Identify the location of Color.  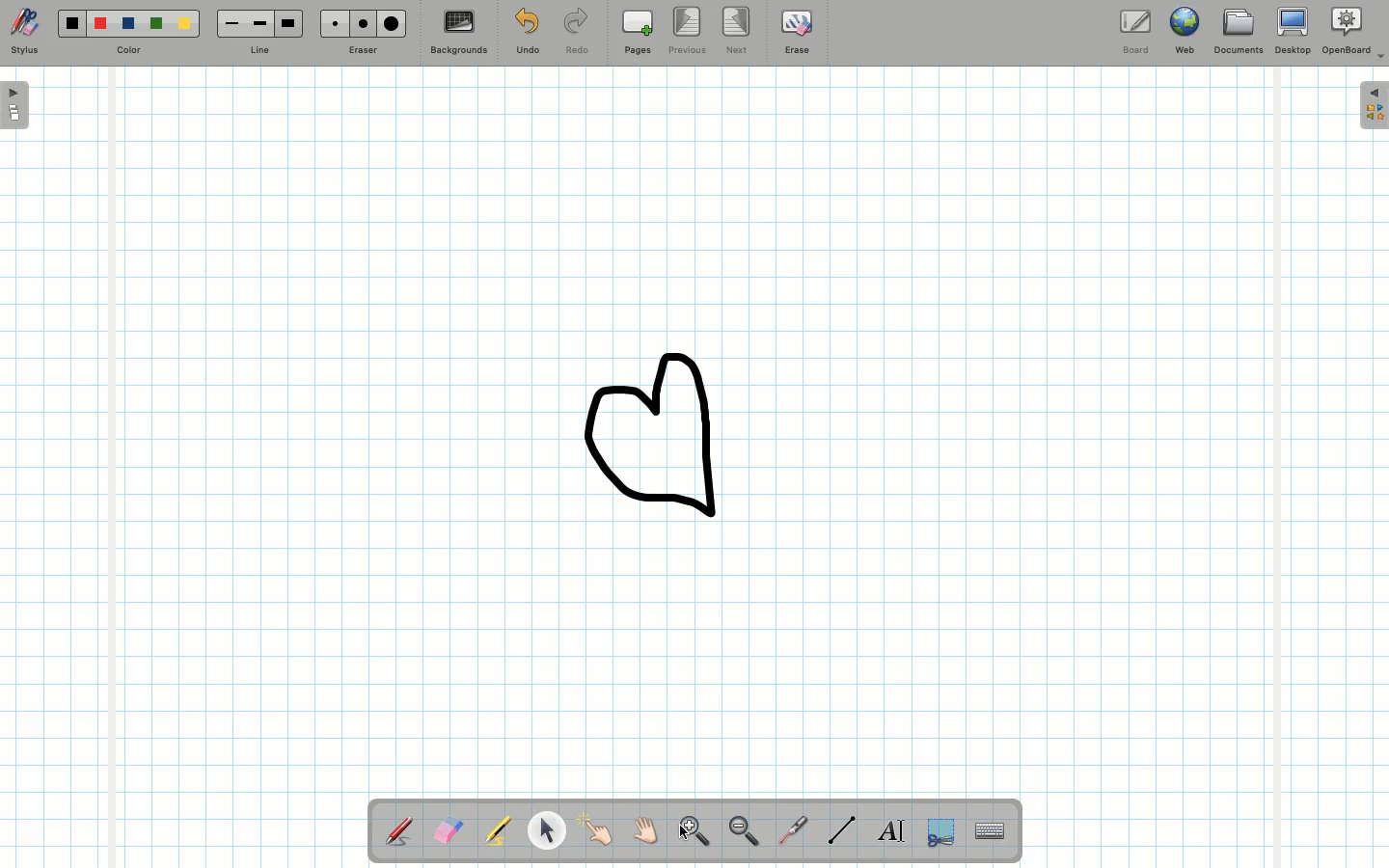
(129, 34).